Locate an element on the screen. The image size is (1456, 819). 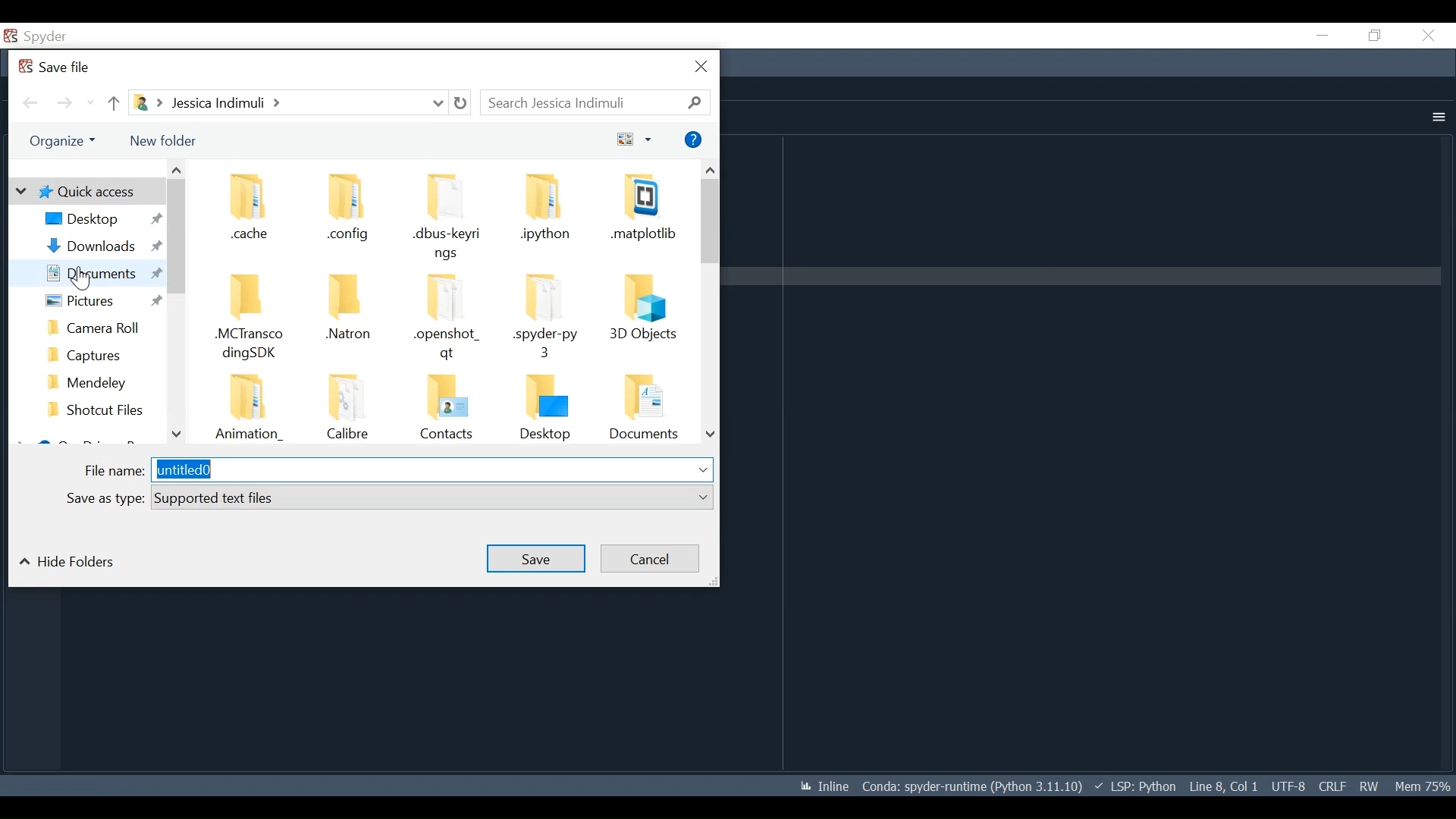
Navigate Forward is located at coordinates (64, 104).